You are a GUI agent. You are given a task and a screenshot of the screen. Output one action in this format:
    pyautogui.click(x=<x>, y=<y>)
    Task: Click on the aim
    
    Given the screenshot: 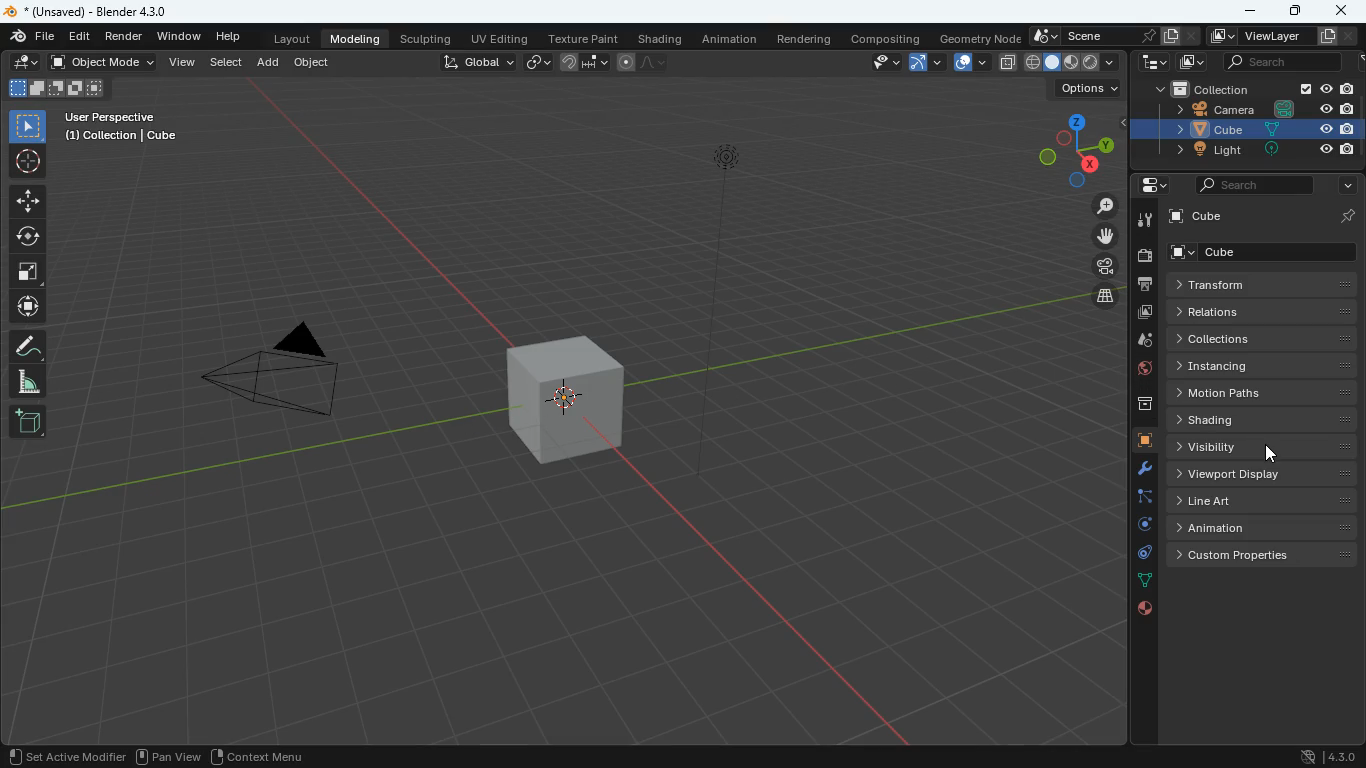 What is the action you would take?
    pyautogui.click(x=28, y=163)
    